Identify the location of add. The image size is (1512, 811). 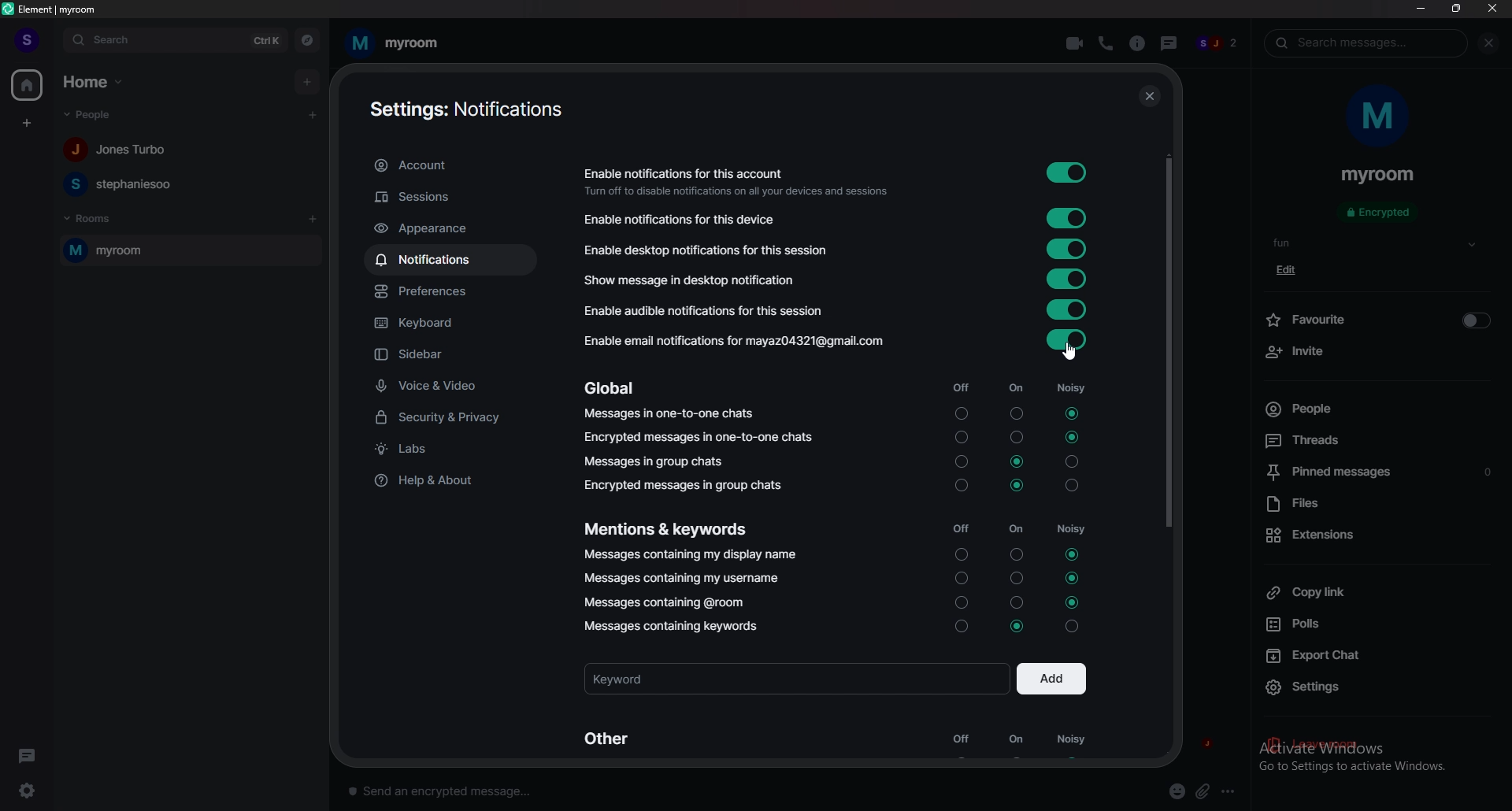
(306, 81).